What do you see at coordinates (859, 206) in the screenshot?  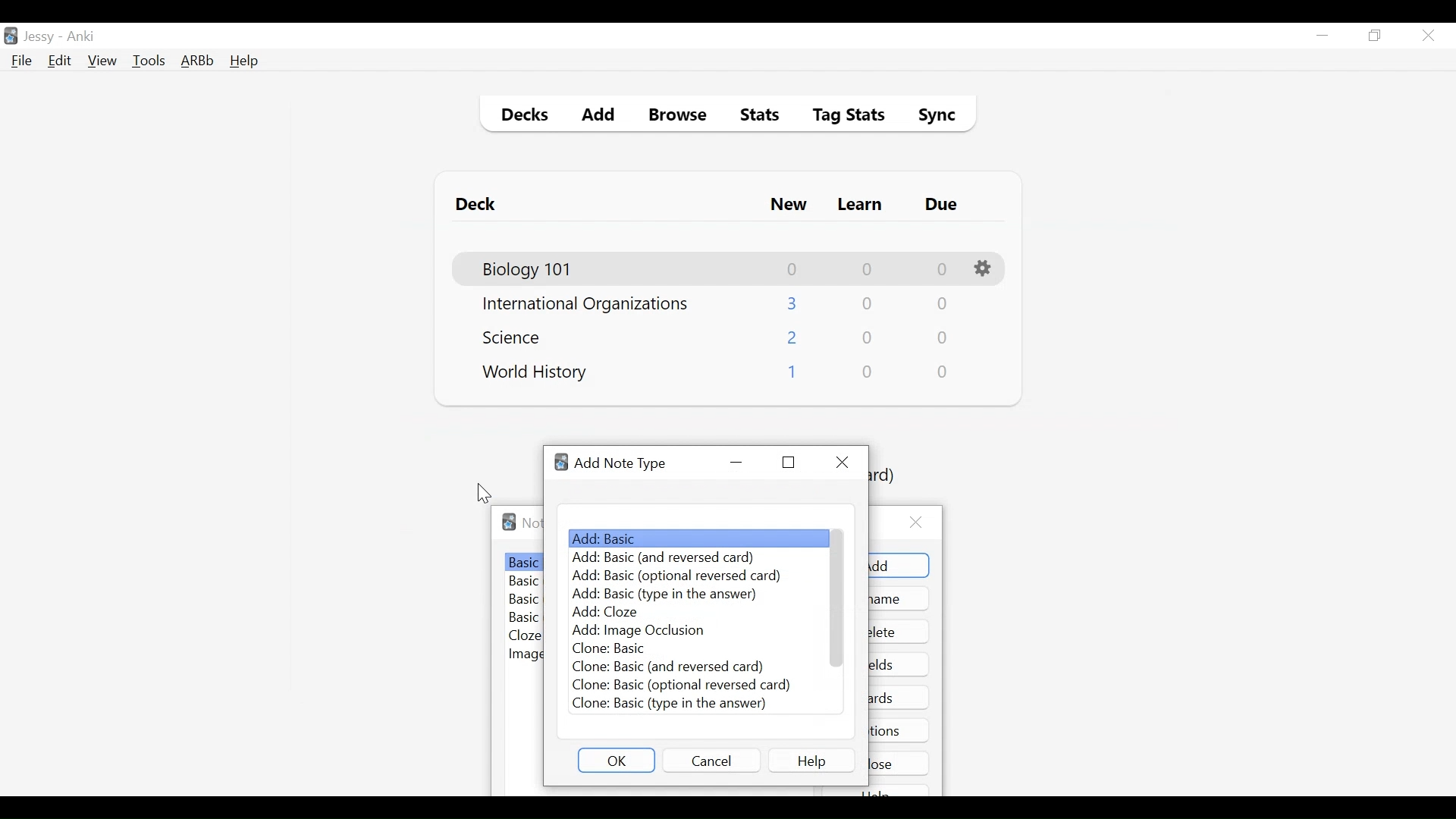 I see `Learn` at bounding box center [859, 206].